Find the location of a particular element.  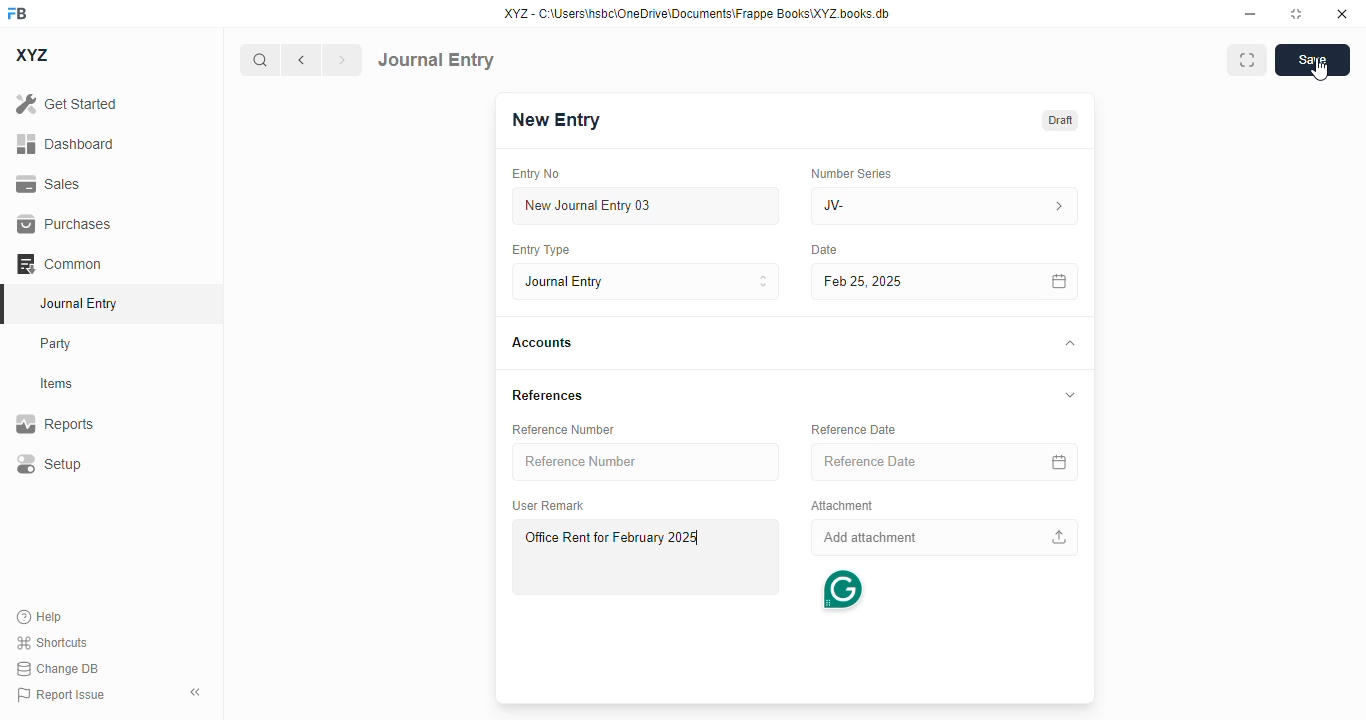

references is located at coordinates (548, 394).